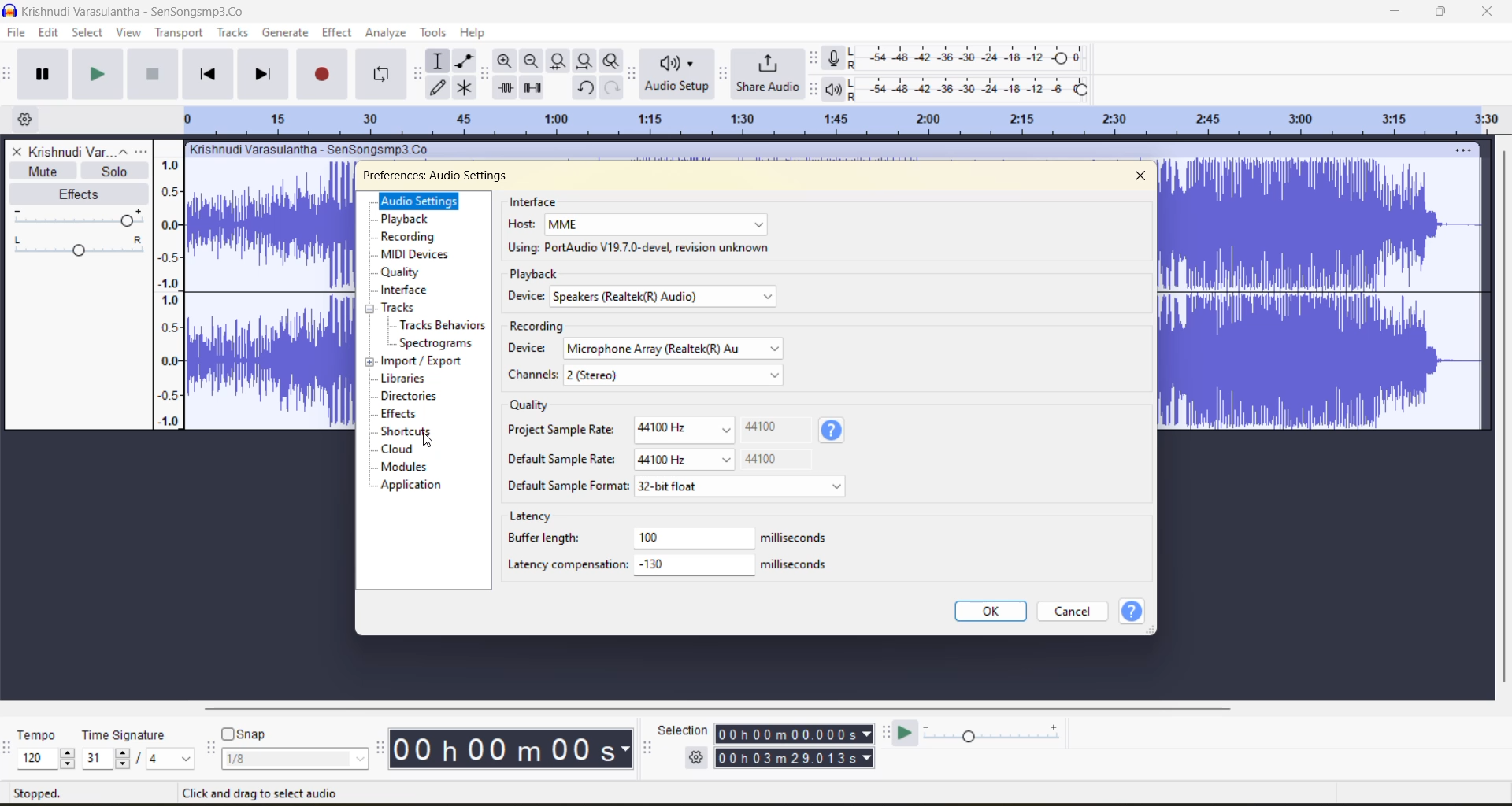 This screenshot has width=1512, height=806. Describe the element at coordinates (724, 72) in the screenshot. I see `share audio toolbar` at that location.